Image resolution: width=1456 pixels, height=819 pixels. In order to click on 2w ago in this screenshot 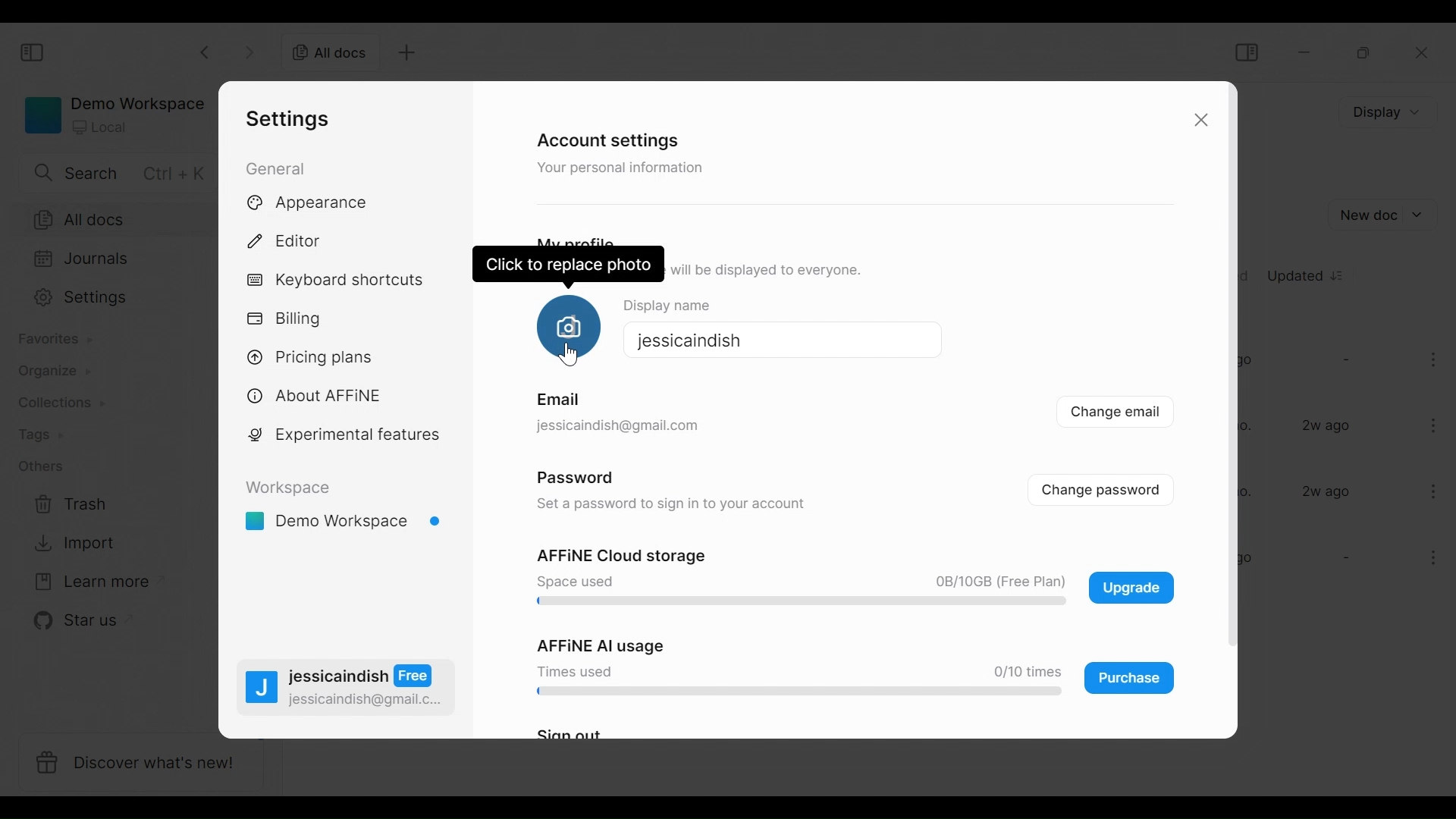, I will do `click(1329, 426)`.